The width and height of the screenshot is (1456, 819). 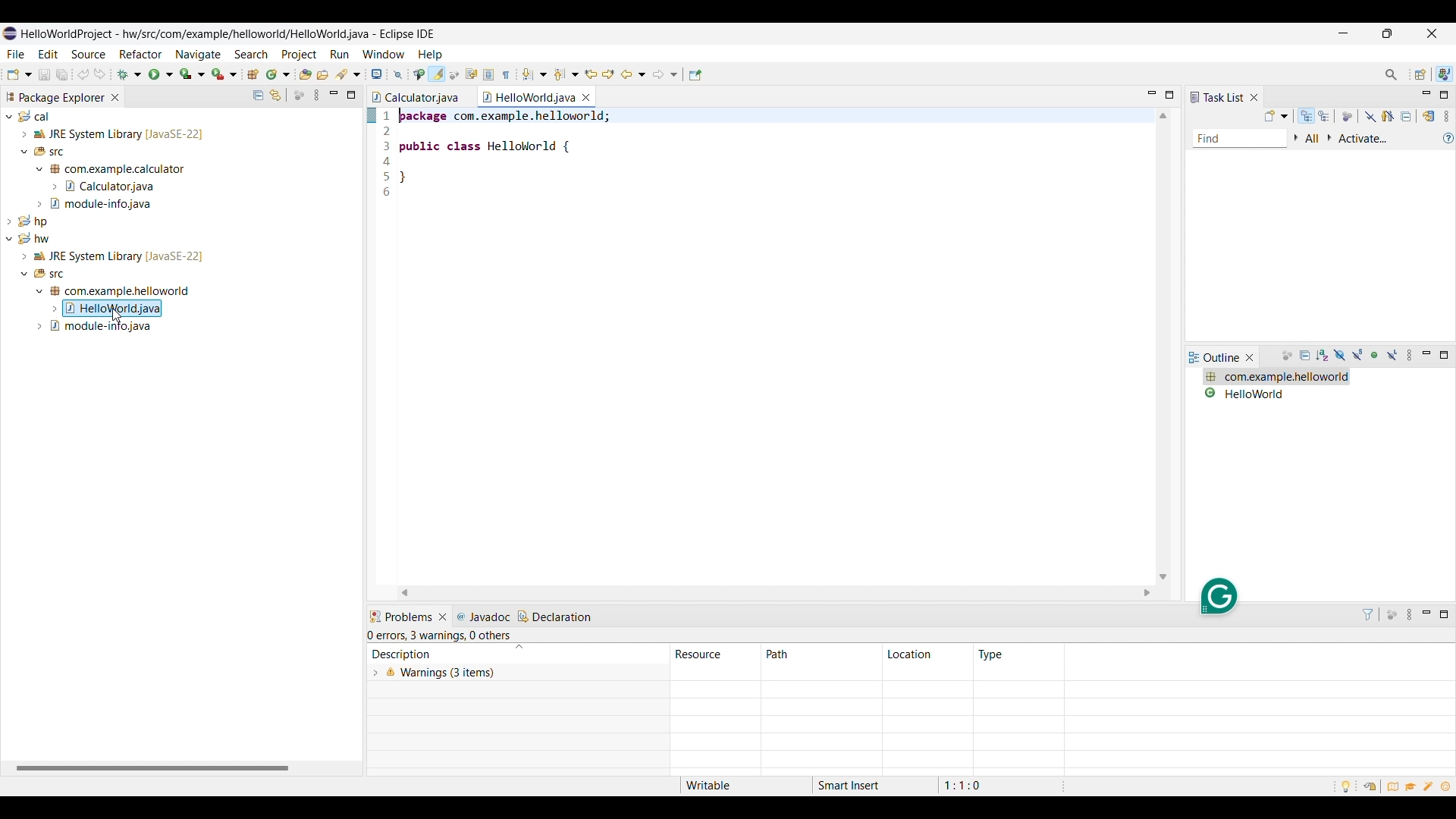 What do you see at coordinates (591, 75) in the screenshot?
I see `Previous edit location` at bounding box center [591, 75].